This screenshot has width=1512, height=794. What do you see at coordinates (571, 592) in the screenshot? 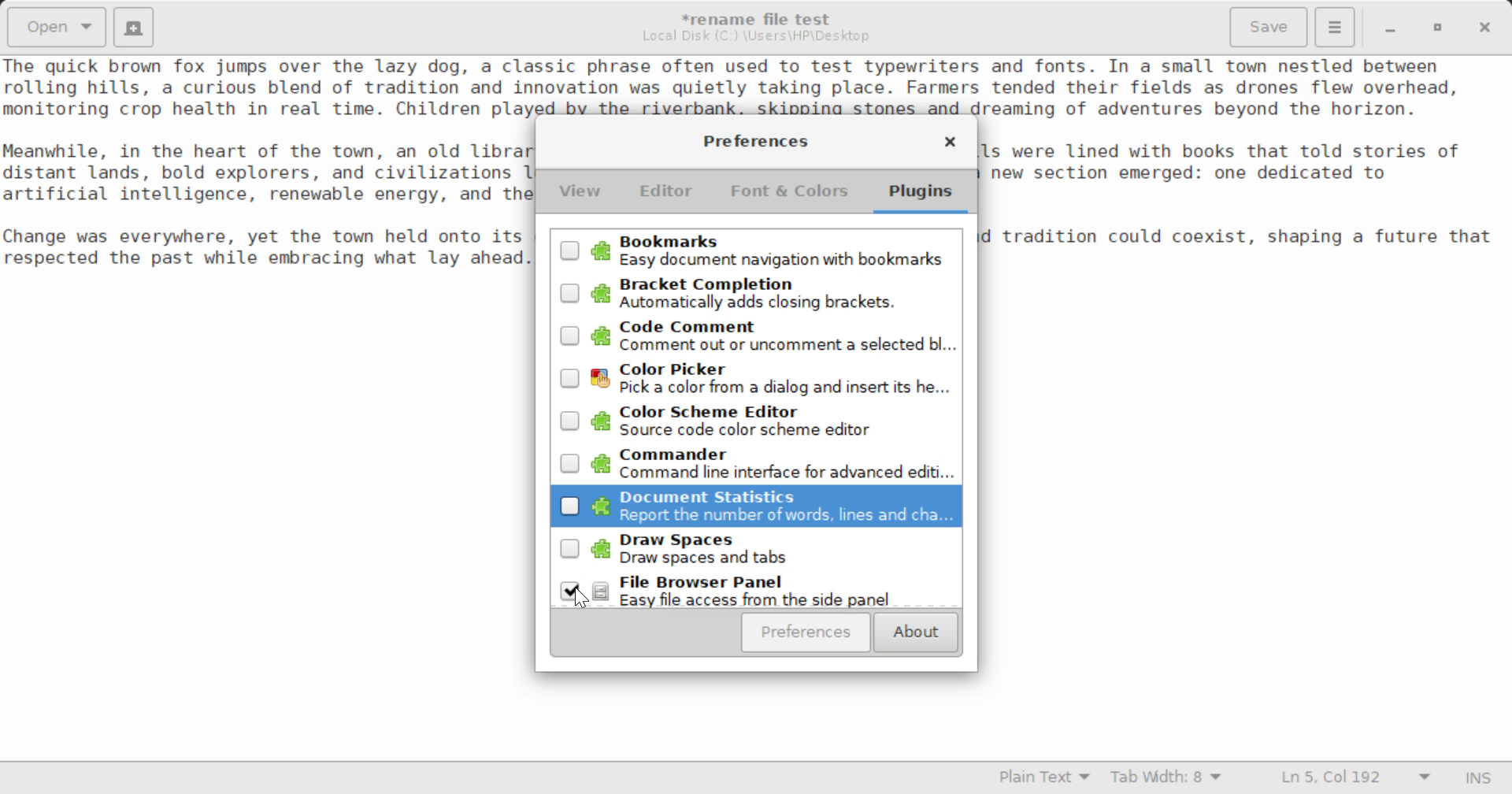
I see `Cursor Position to Unselect` at bounding box center [571, 592].